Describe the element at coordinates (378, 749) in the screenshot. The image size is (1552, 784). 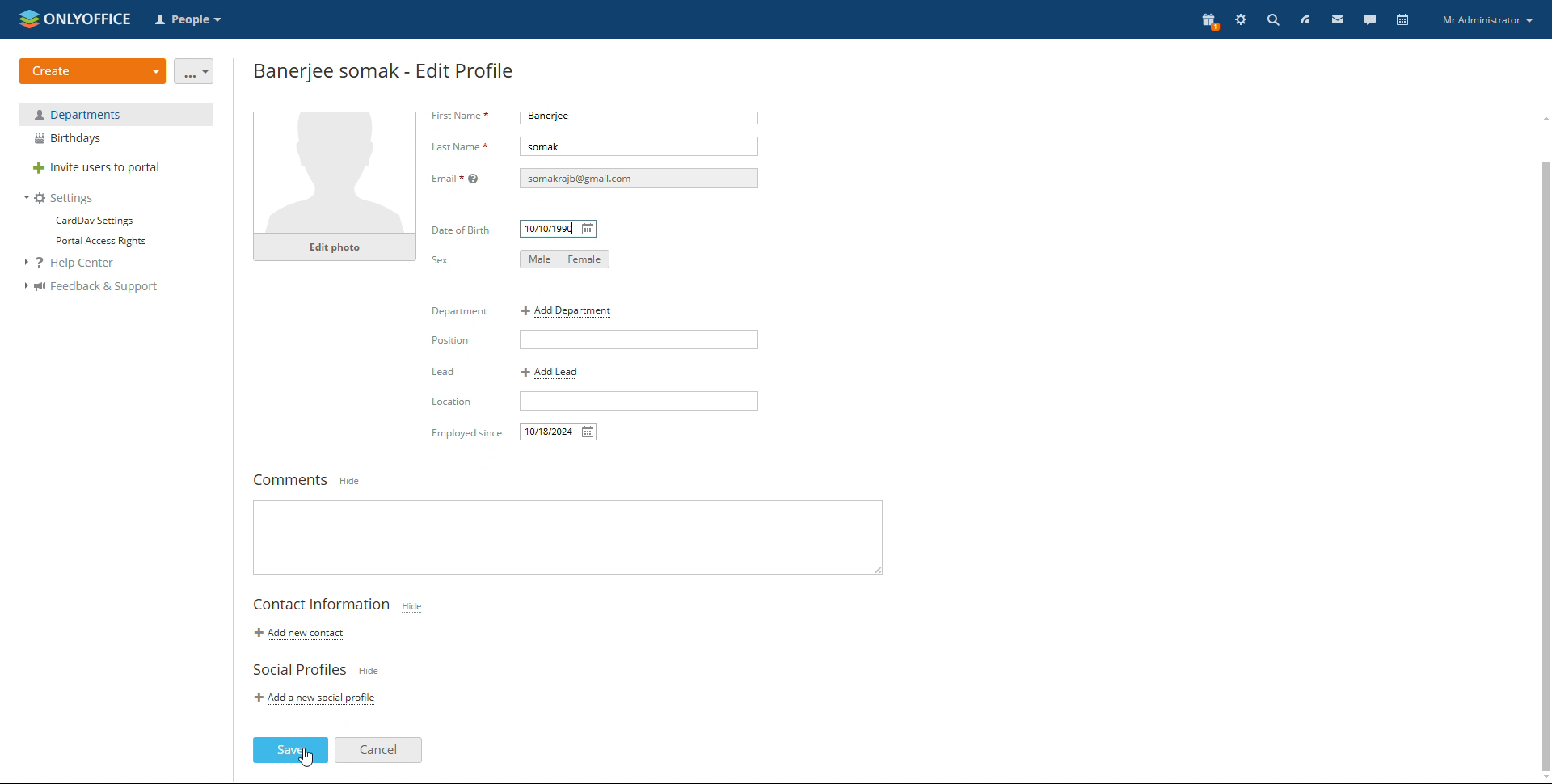
I see `cancel` at that location.